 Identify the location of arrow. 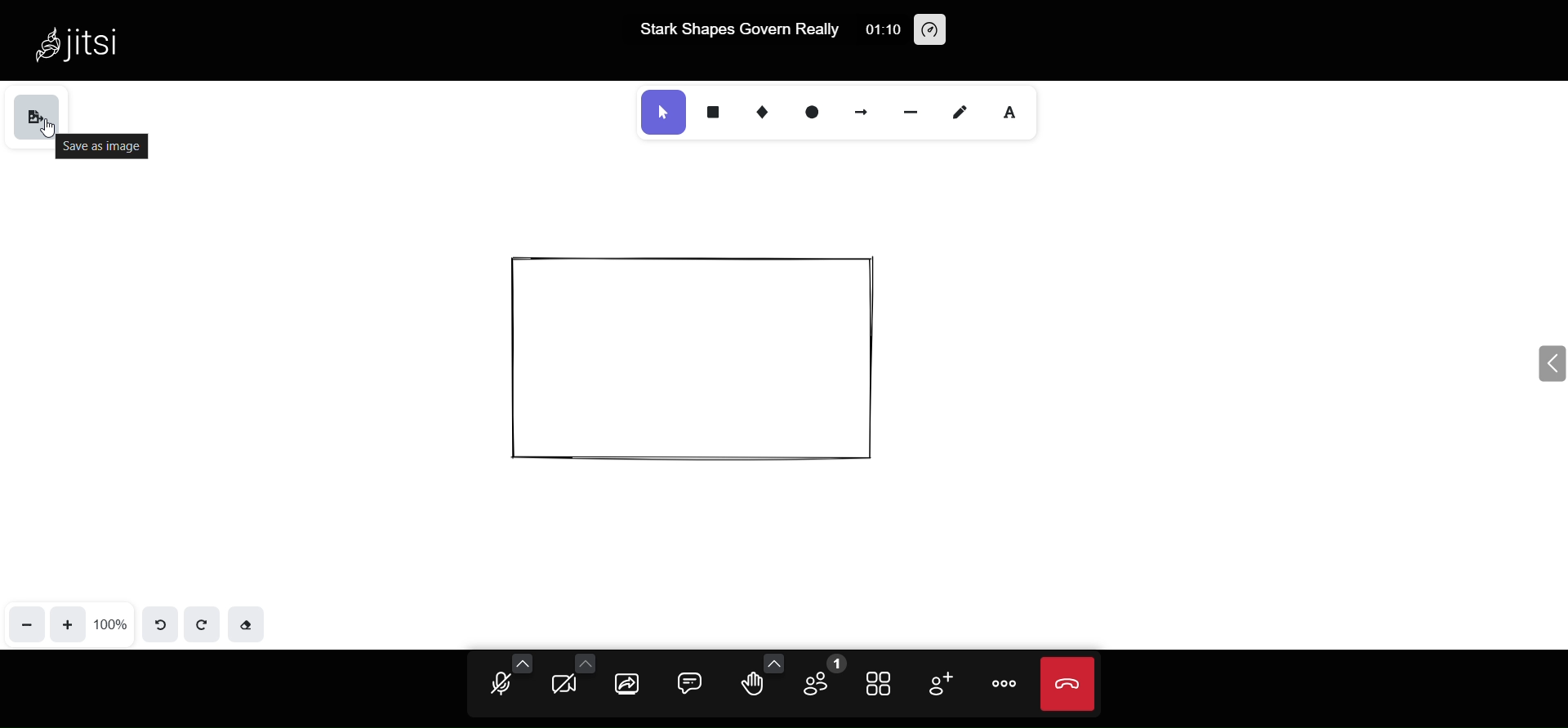
(859, 112).